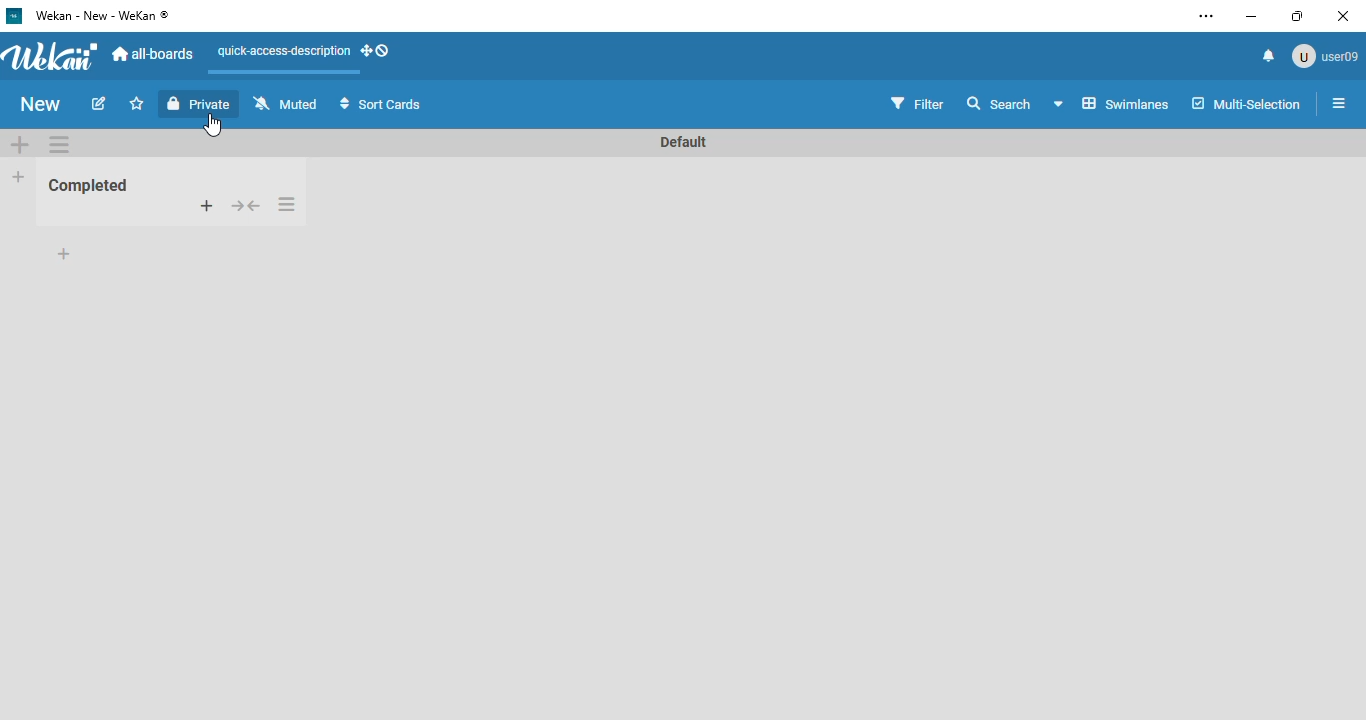  What do you see at coordinates (19, 177) in the screenshot?
I see `add list` at bounding box center [19, 177].